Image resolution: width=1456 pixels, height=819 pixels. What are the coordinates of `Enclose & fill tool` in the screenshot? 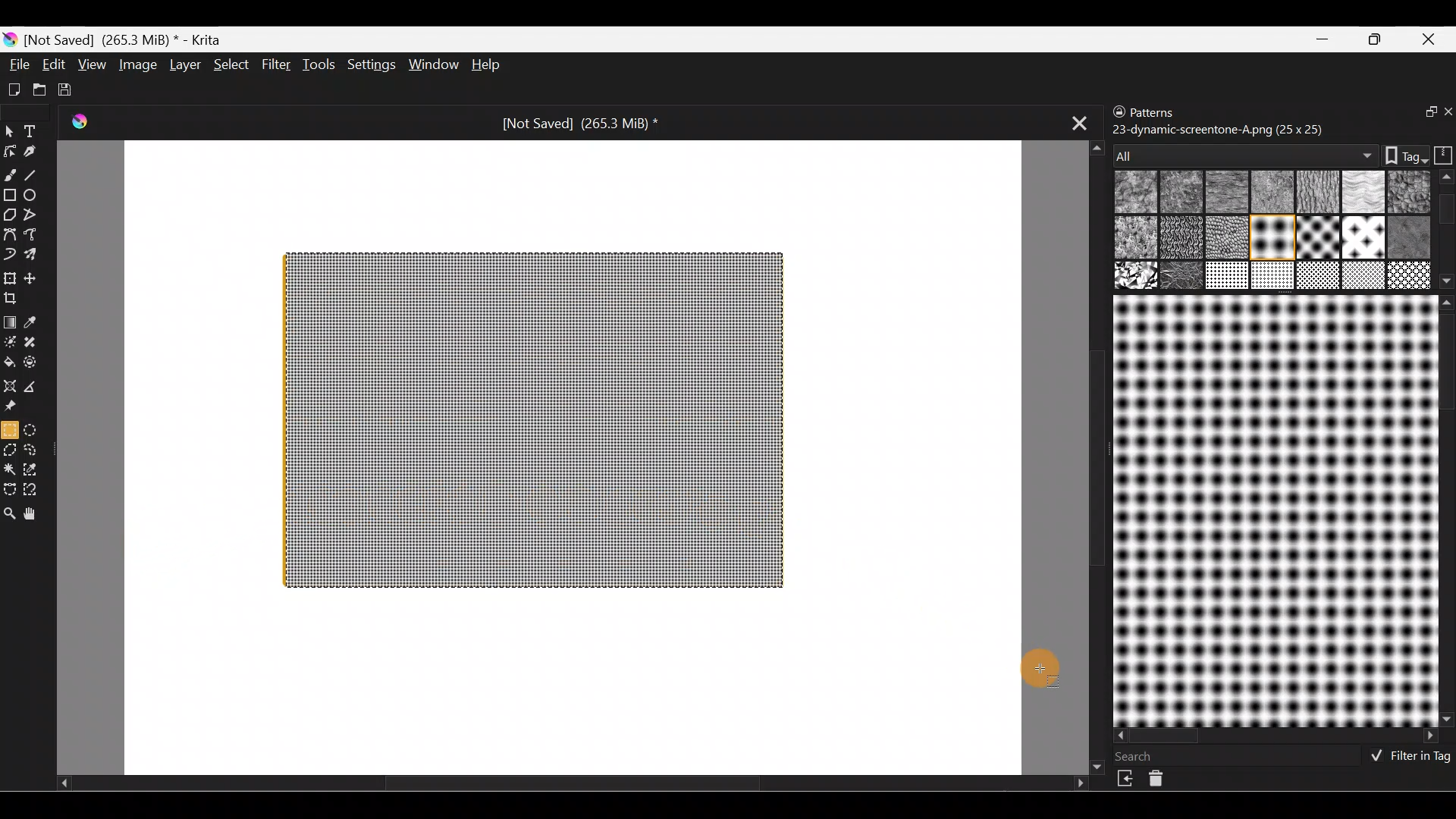 It's located at (38, 362).